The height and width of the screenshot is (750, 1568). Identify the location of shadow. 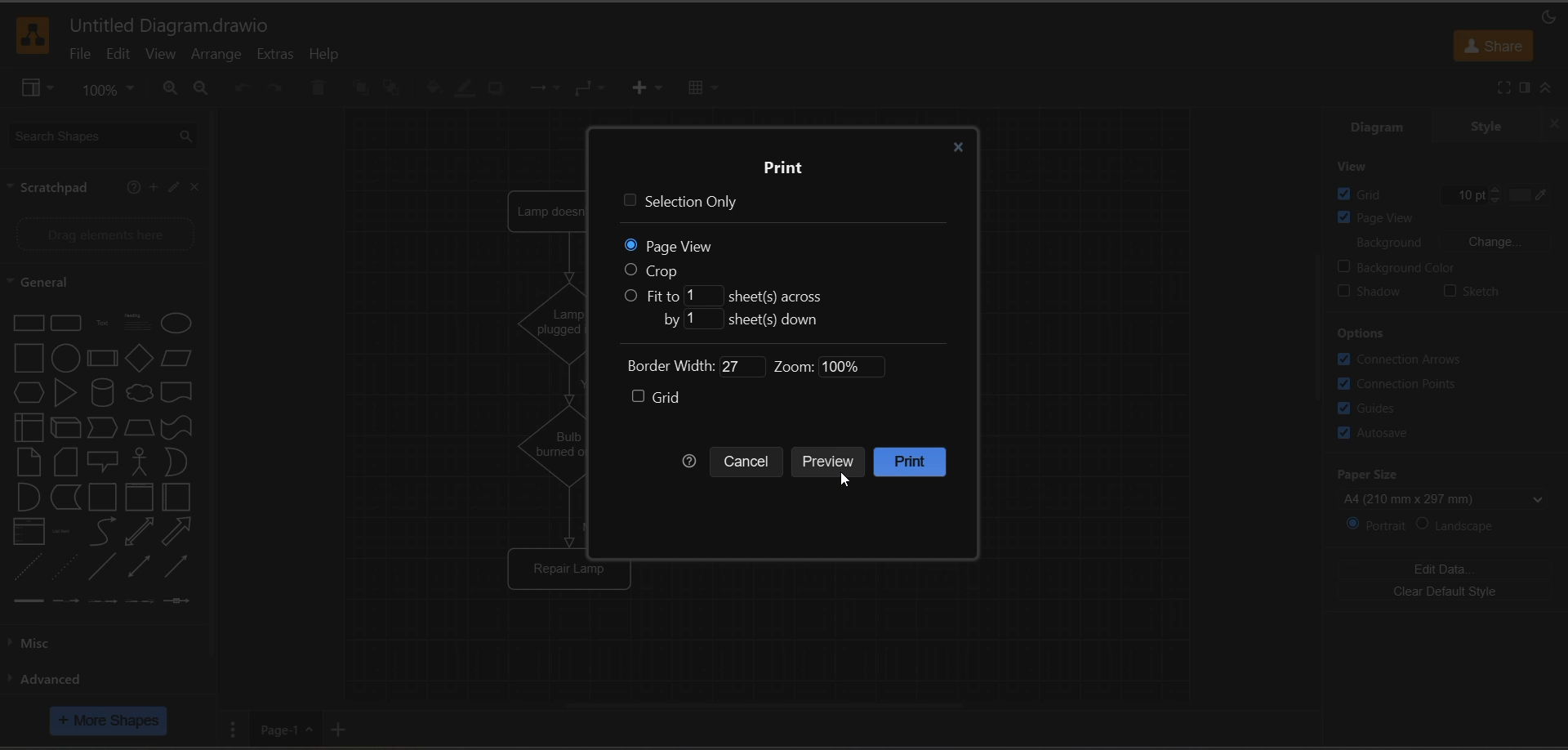
(1375, 294).